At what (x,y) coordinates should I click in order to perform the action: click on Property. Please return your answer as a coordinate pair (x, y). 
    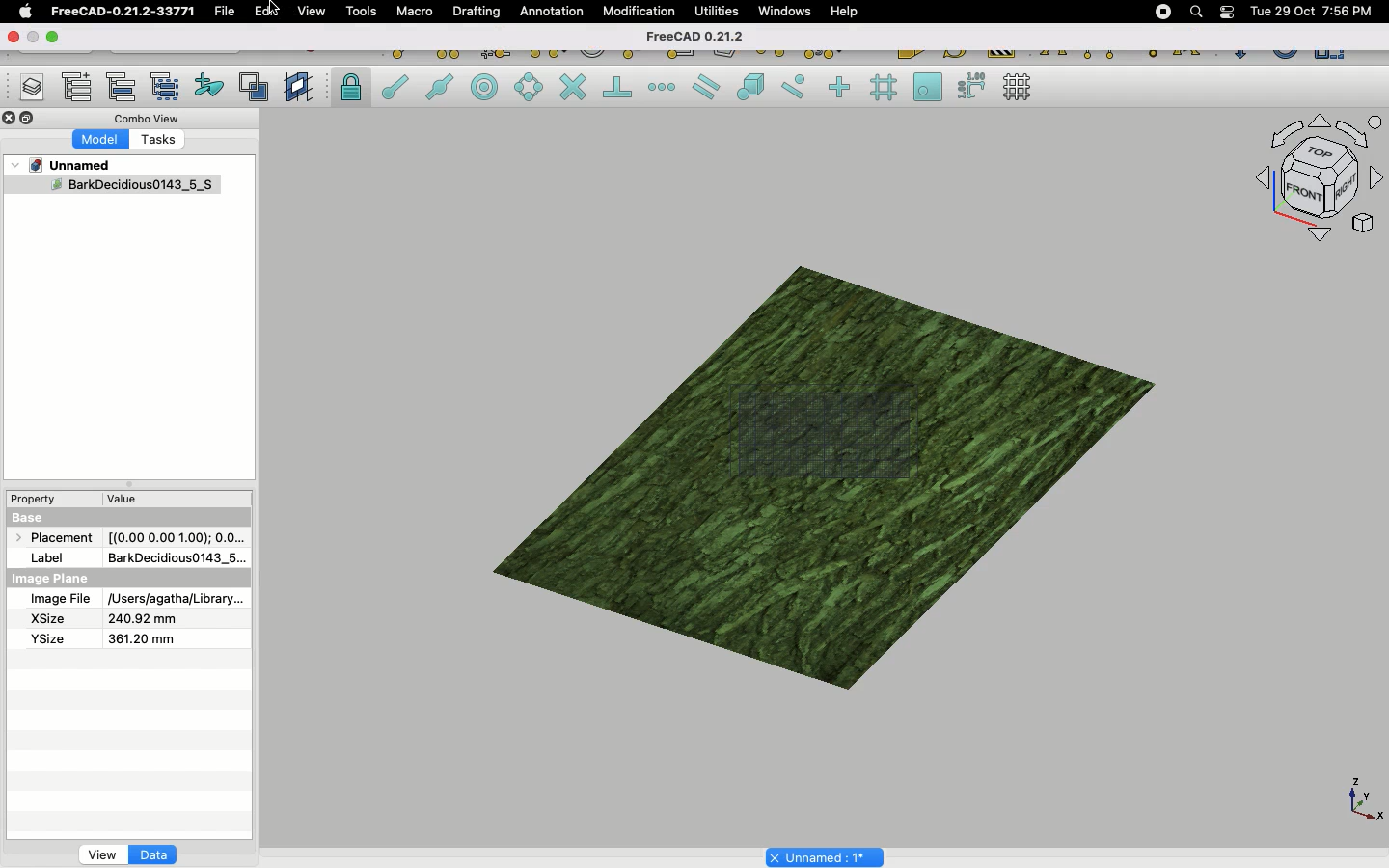
    Looking at the image, I should click on (39, 499).